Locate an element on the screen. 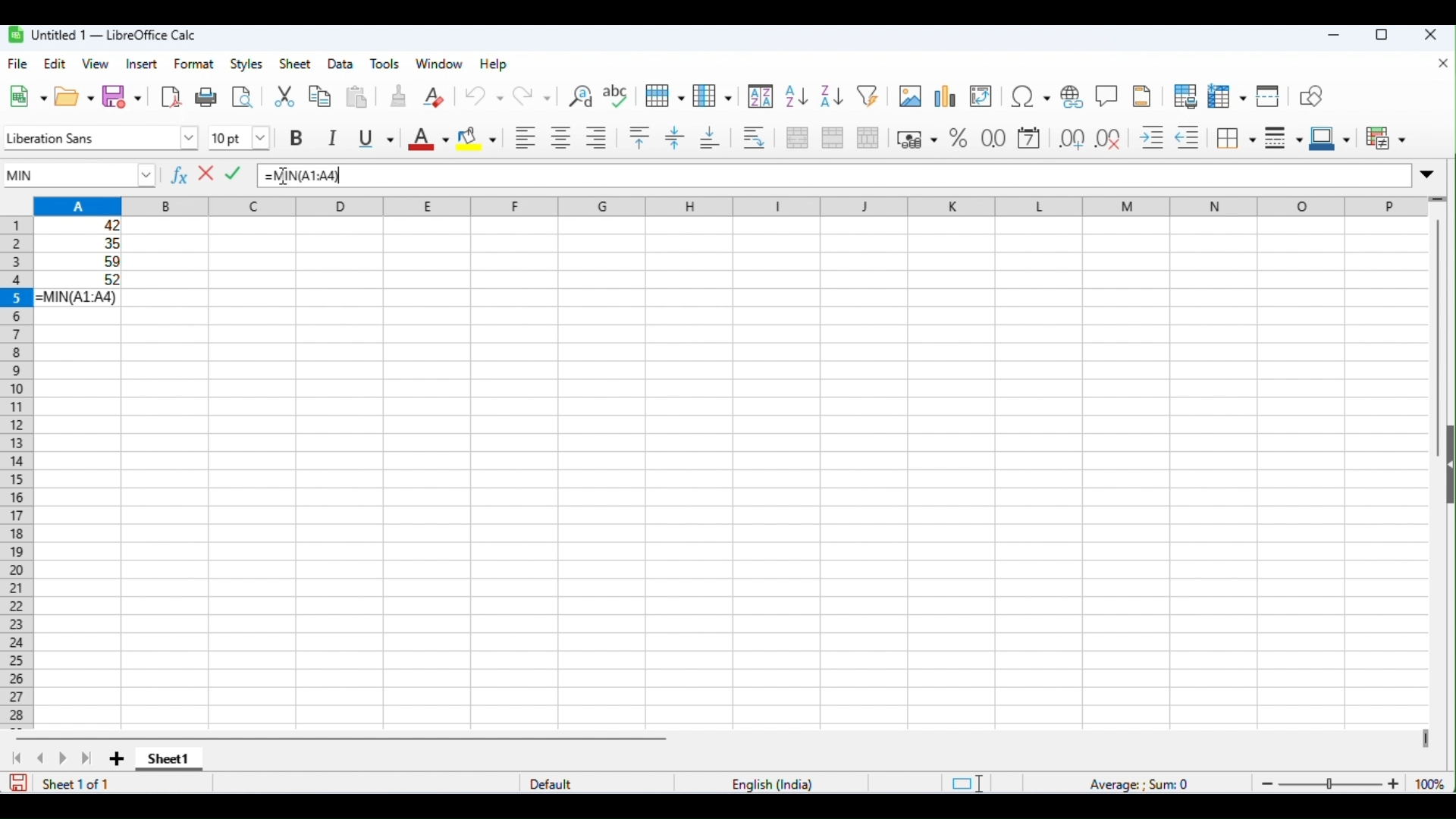 The height and width of the screenshot is (819, 1456). formula is located at coordinates (1141, 782).